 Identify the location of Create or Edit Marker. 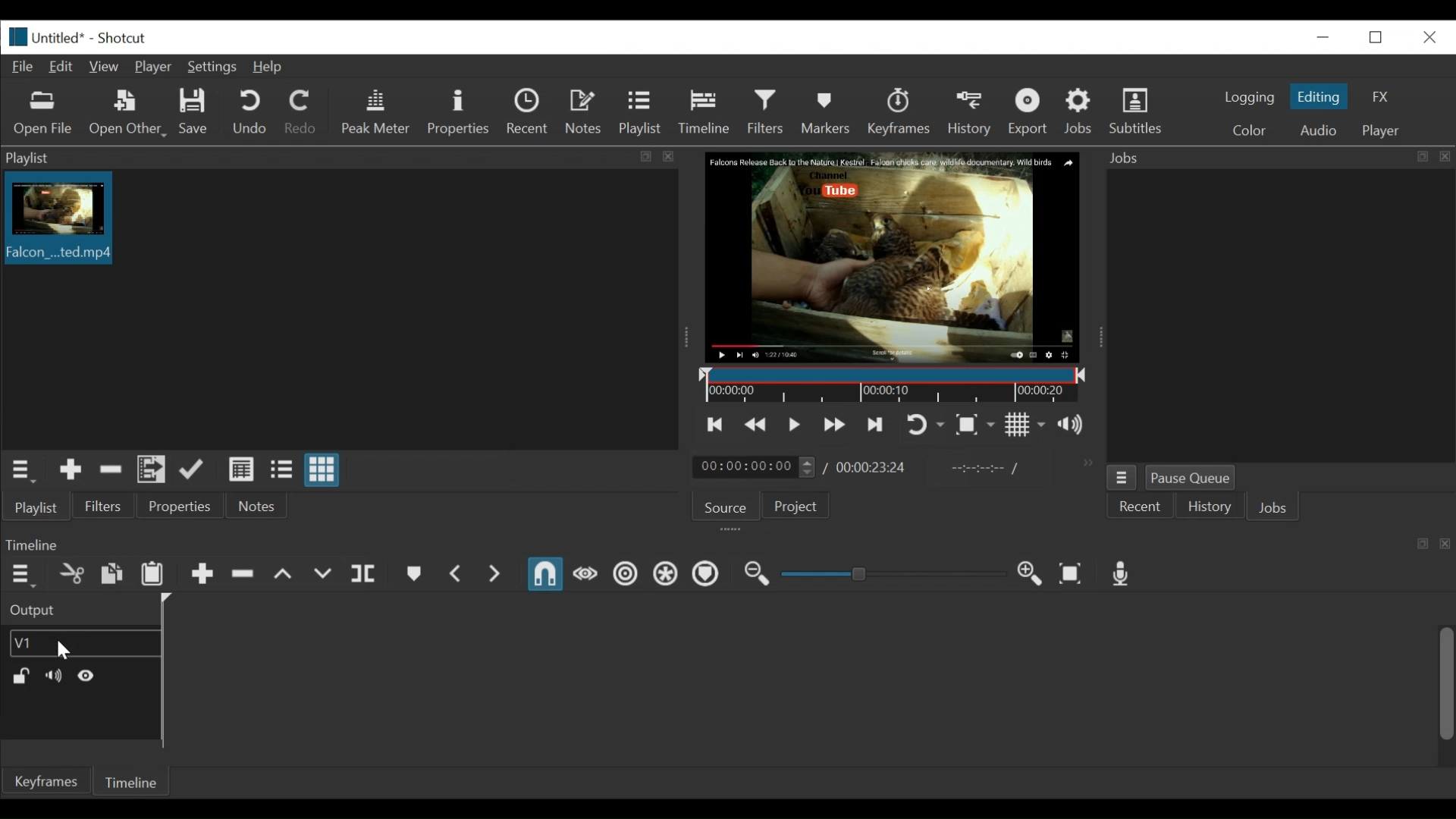
(413, 574).